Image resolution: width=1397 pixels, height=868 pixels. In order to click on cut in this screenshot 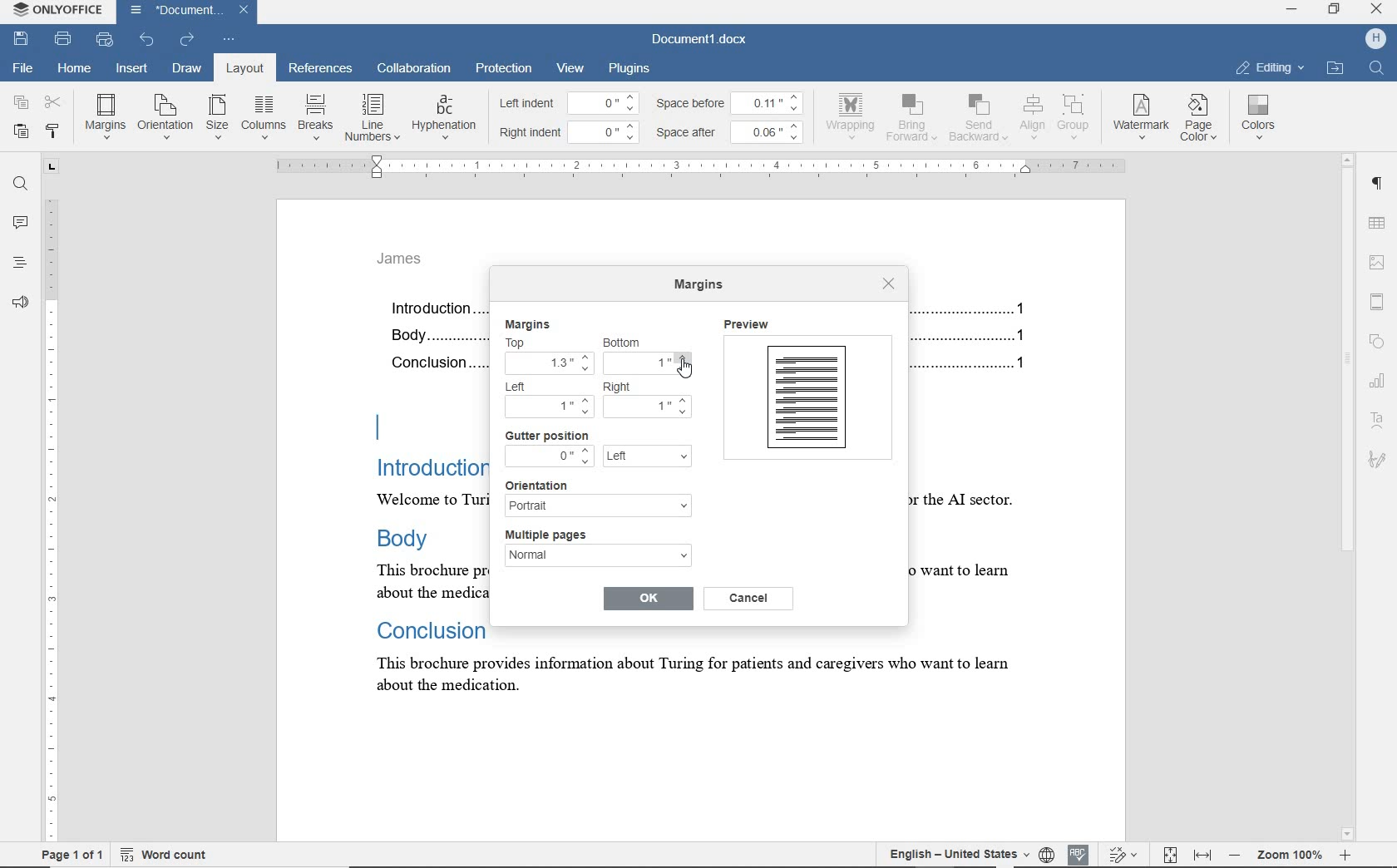, I will do `click(54, 101)`.